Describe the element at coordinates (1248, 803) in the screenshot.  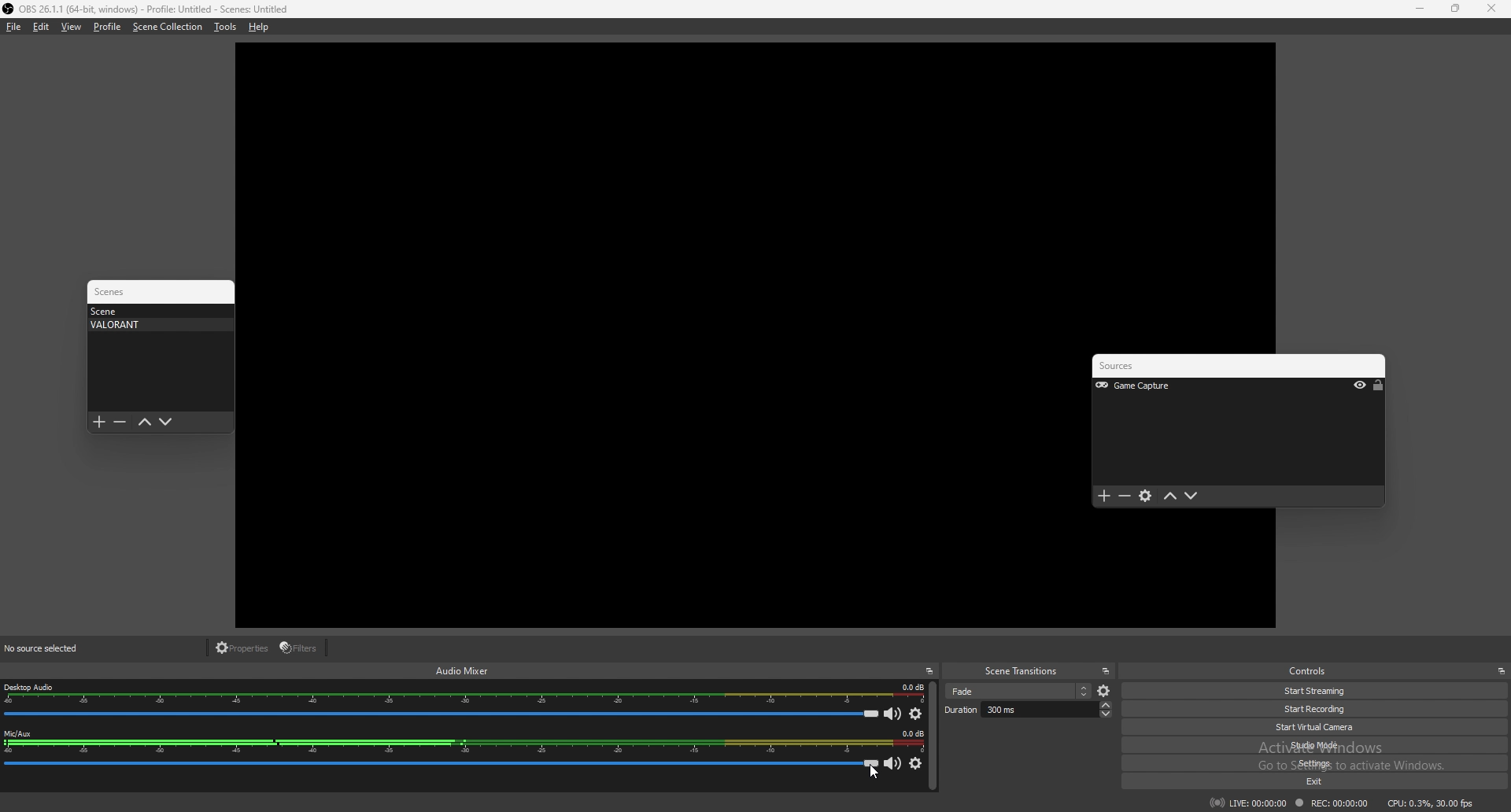
I see `live 00:00:00` at that location.